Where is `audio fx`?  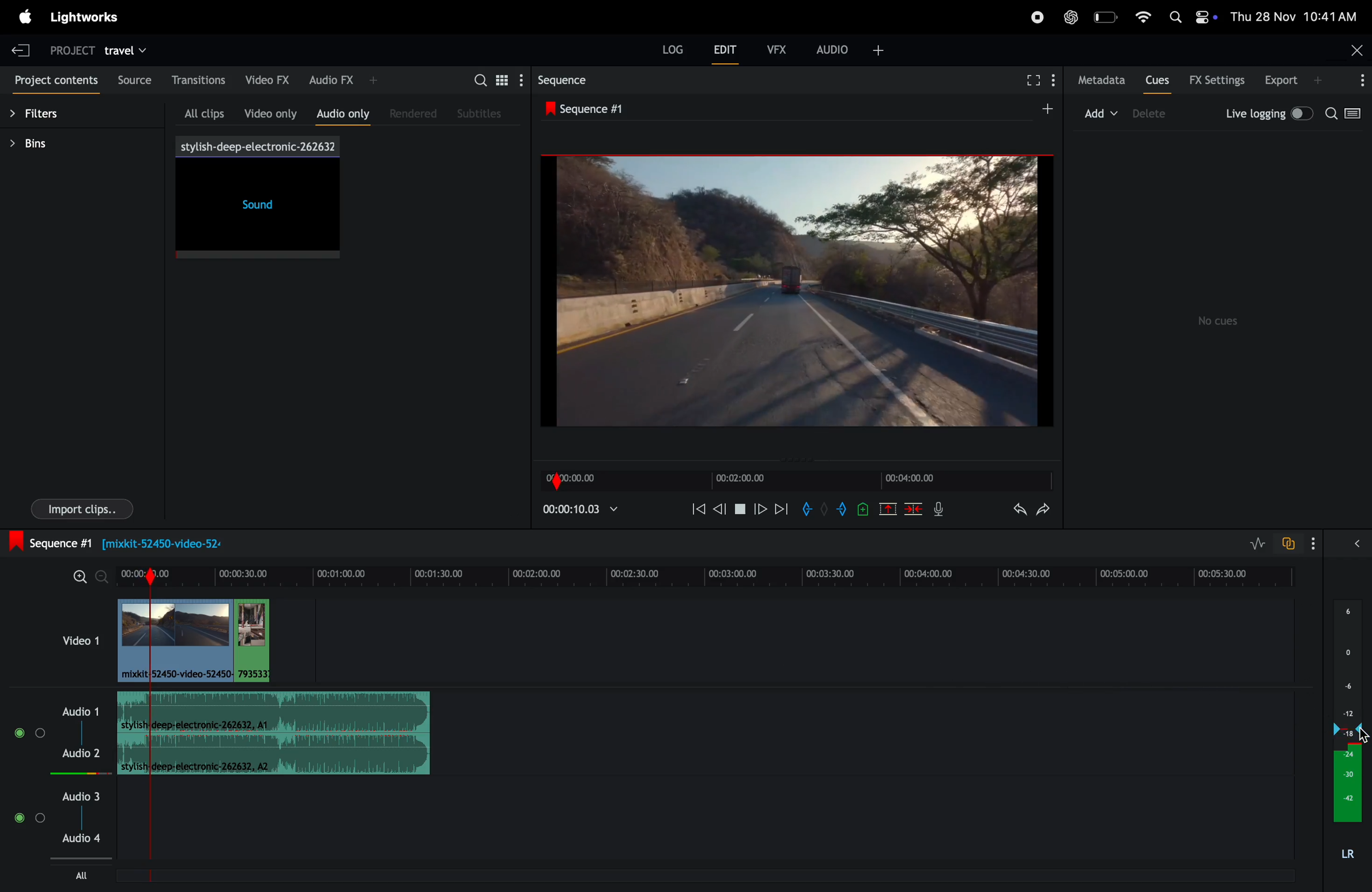 audio fx is located at coordinates (342, 80).